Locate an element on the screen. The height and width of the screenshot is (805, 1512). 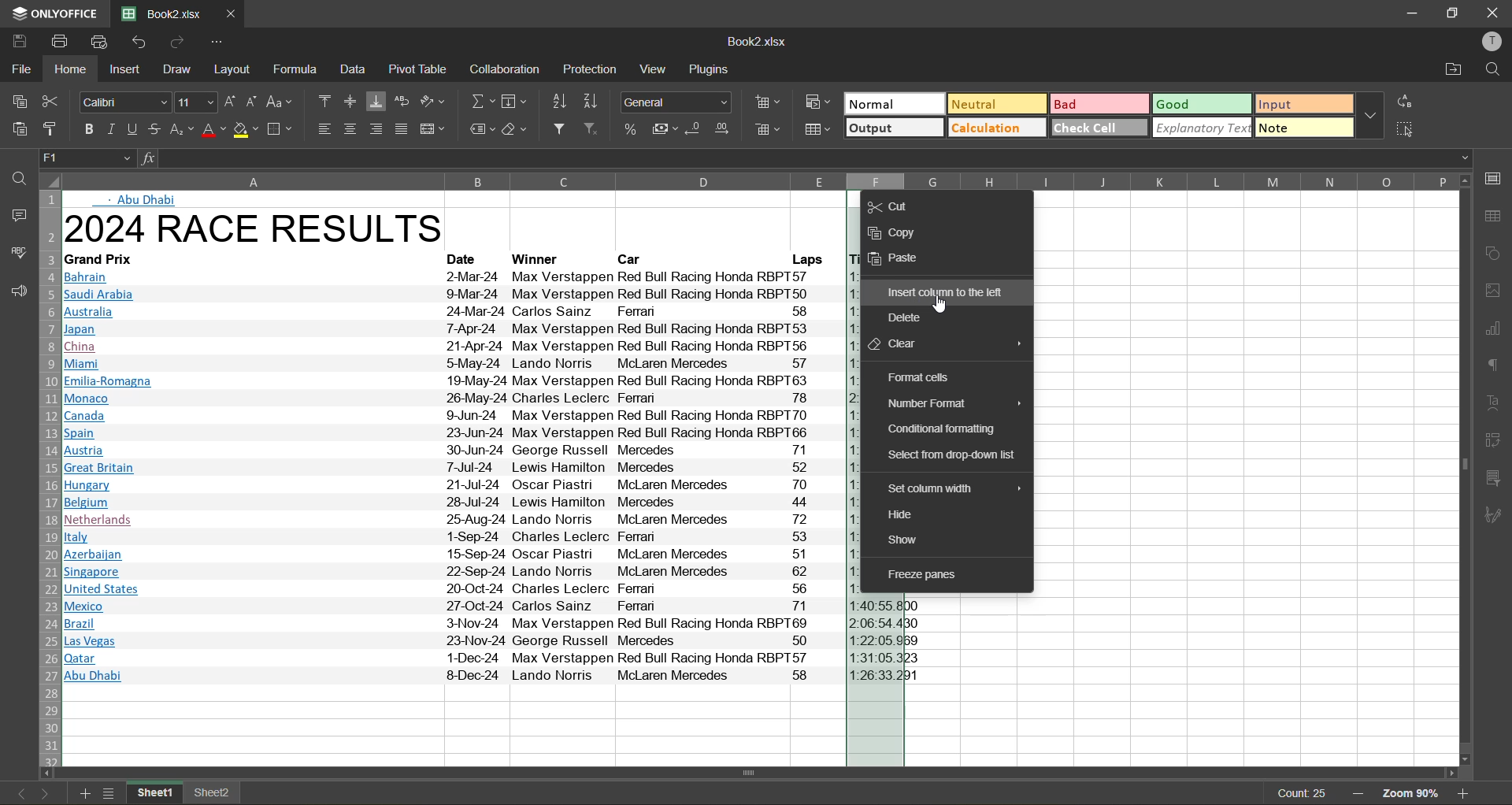
select all is located at coordinates (1408, 130).